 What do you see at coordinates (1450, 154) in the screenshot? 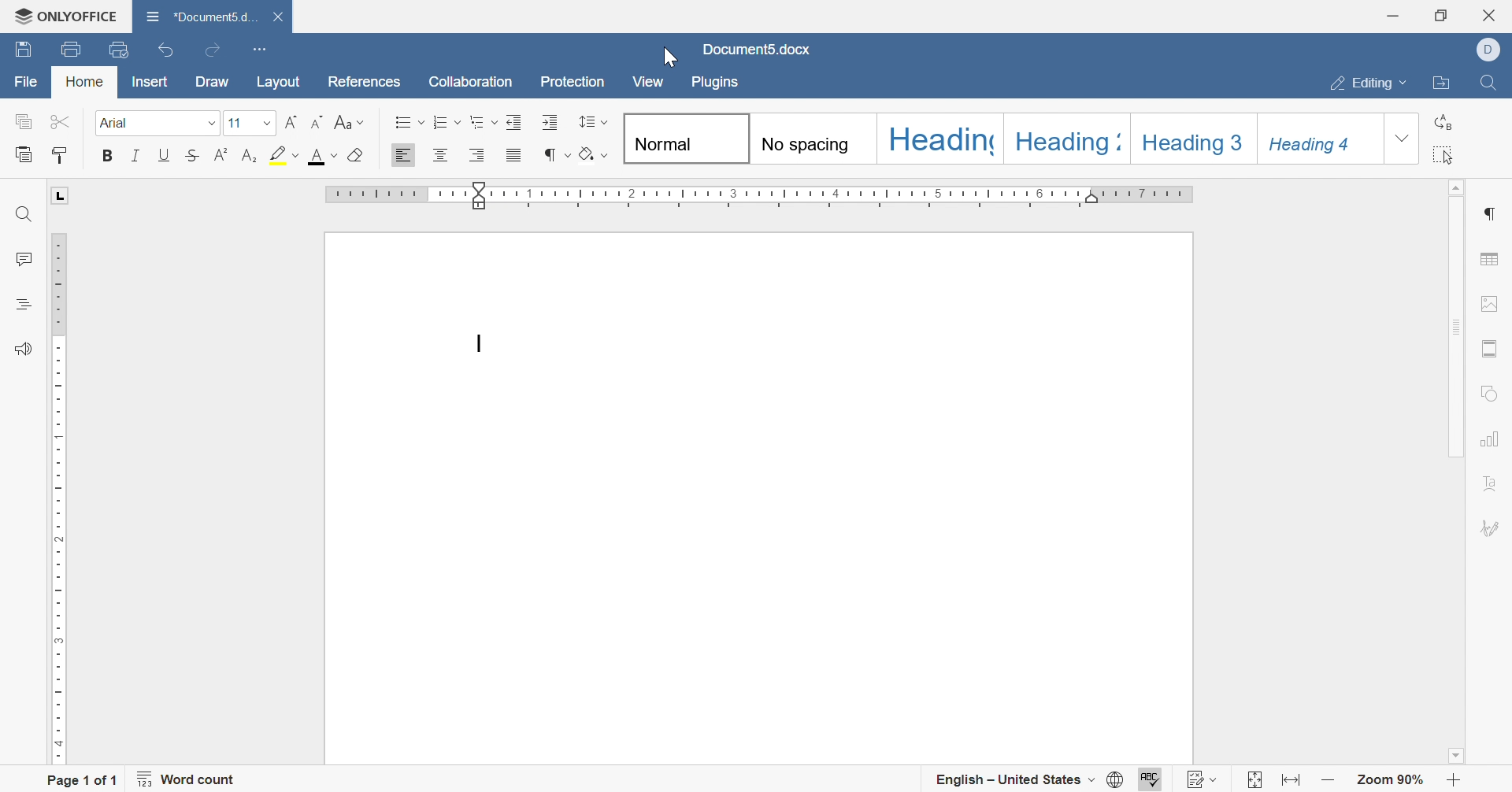
I see `select all` at bounding box center [1450, 154].